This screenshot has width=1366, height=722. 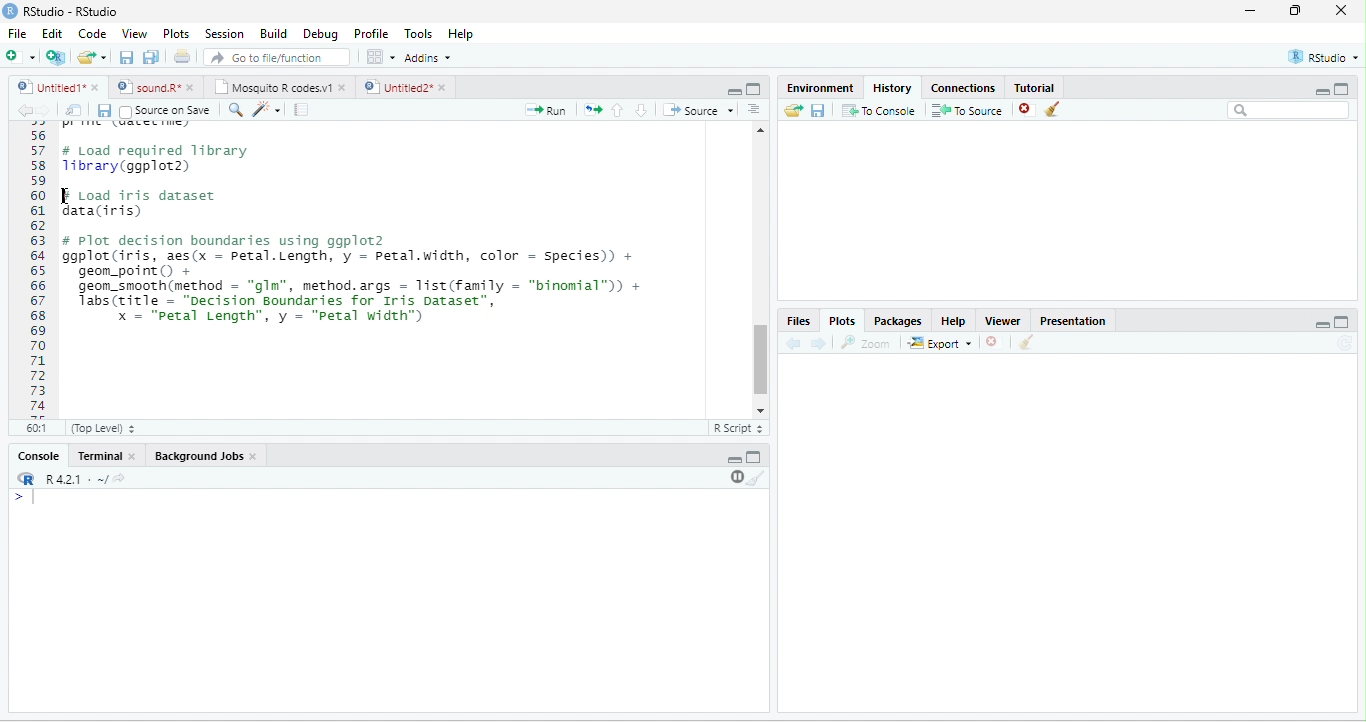 What do you see at coordinates (49, 87) in the screenshot?
I see `Untitled` at bounding box center [49, 87].